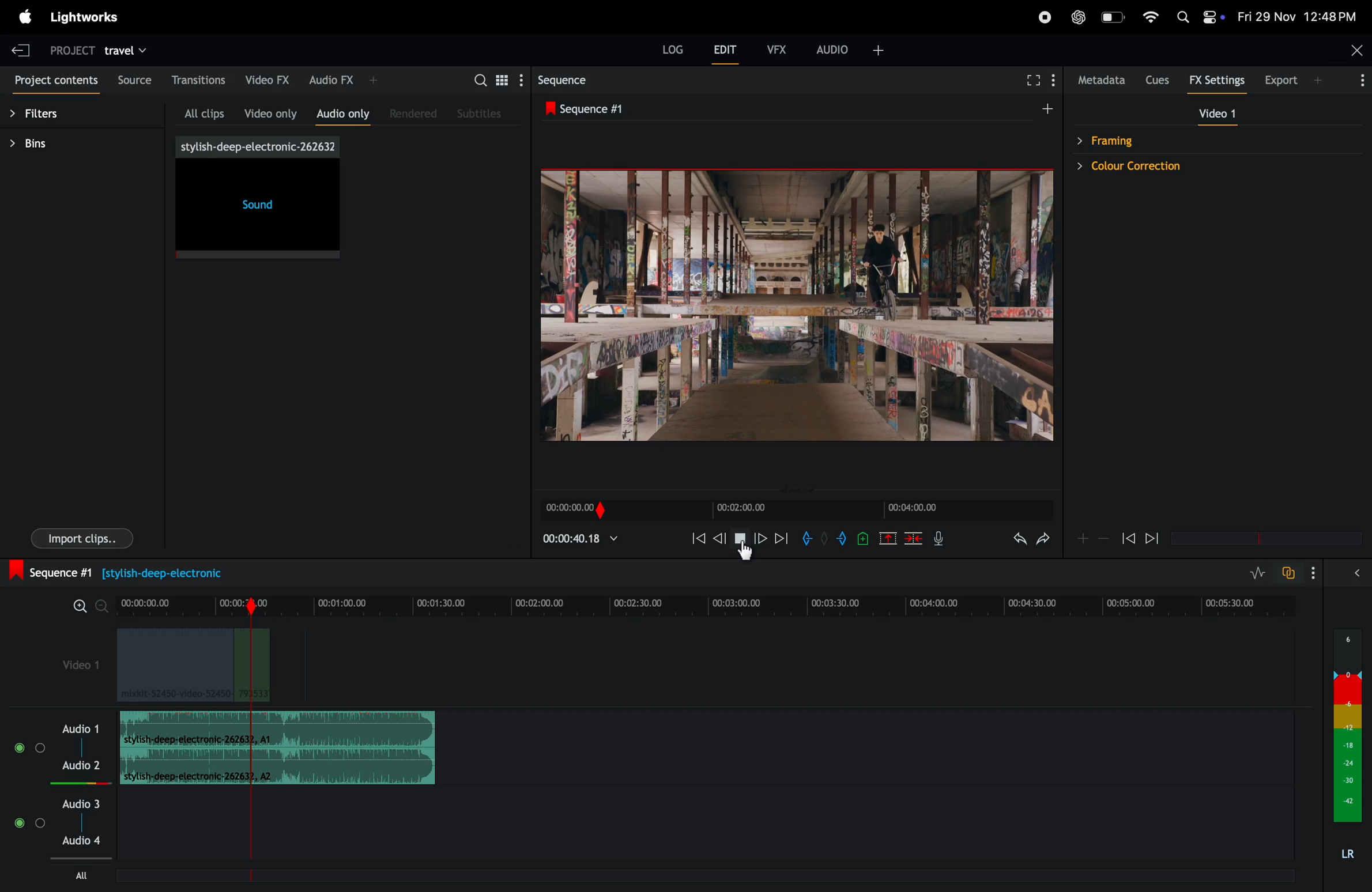 The image size is (1372, 892). What do you see at coordinates (1215, 18) in the screenshot?
I see `control panel` at bounding box center [1215, 18].